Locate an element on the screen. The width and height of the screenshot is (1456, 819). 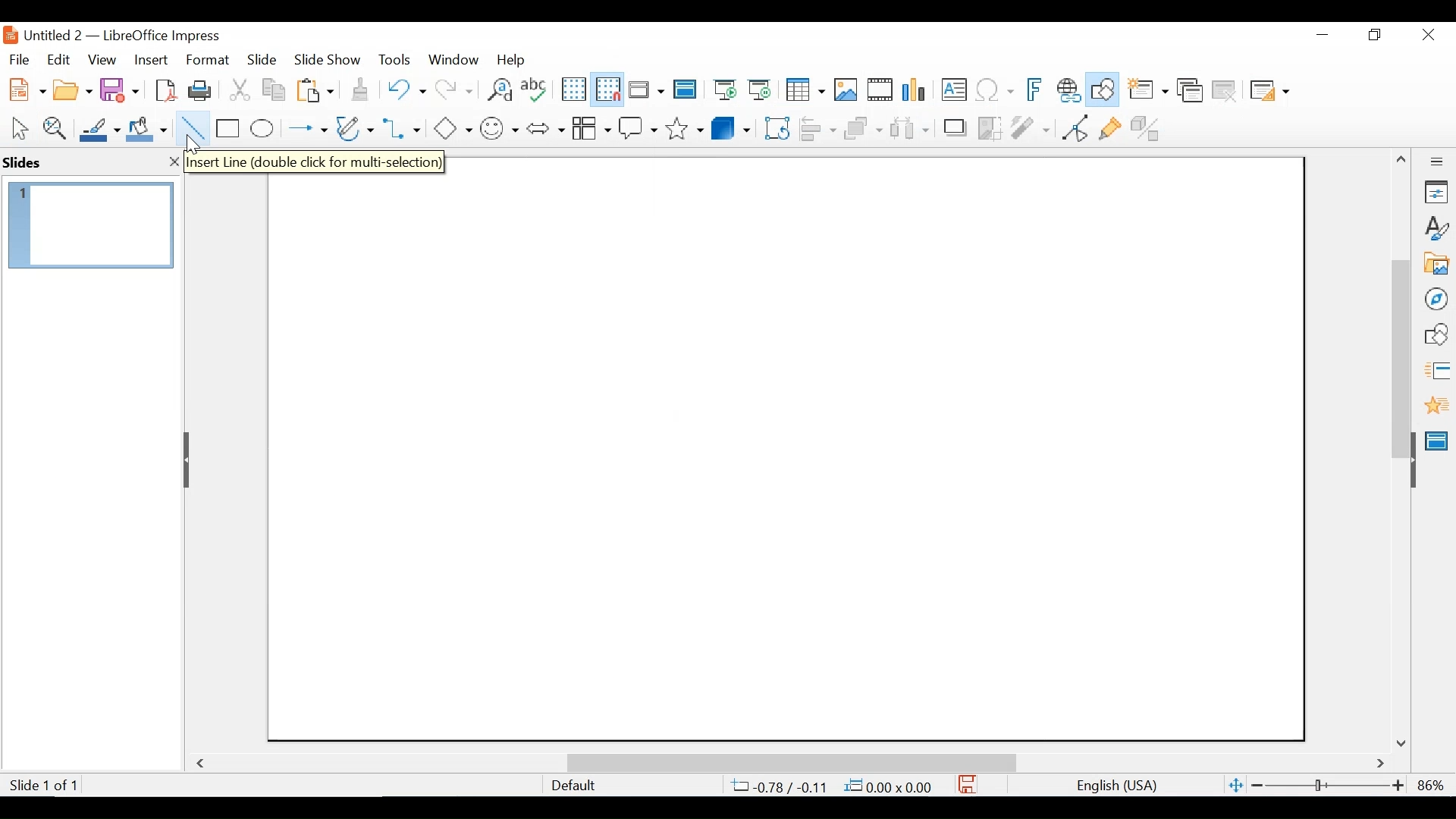
Redo is located at coordinates (452, 88).